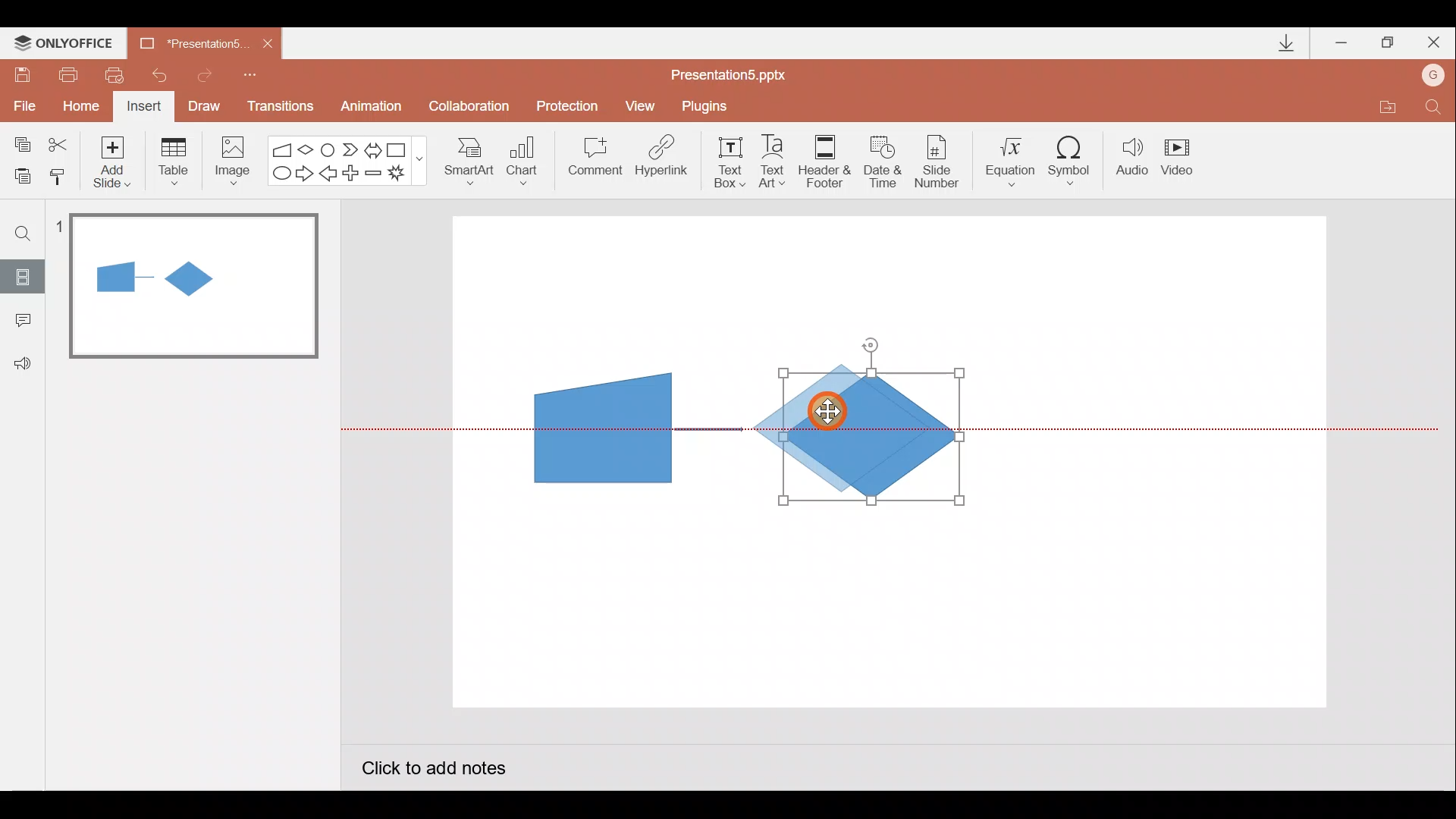  Describe the element at coordinates (1183, 158) in the screenshot. I see `Video` at that location.